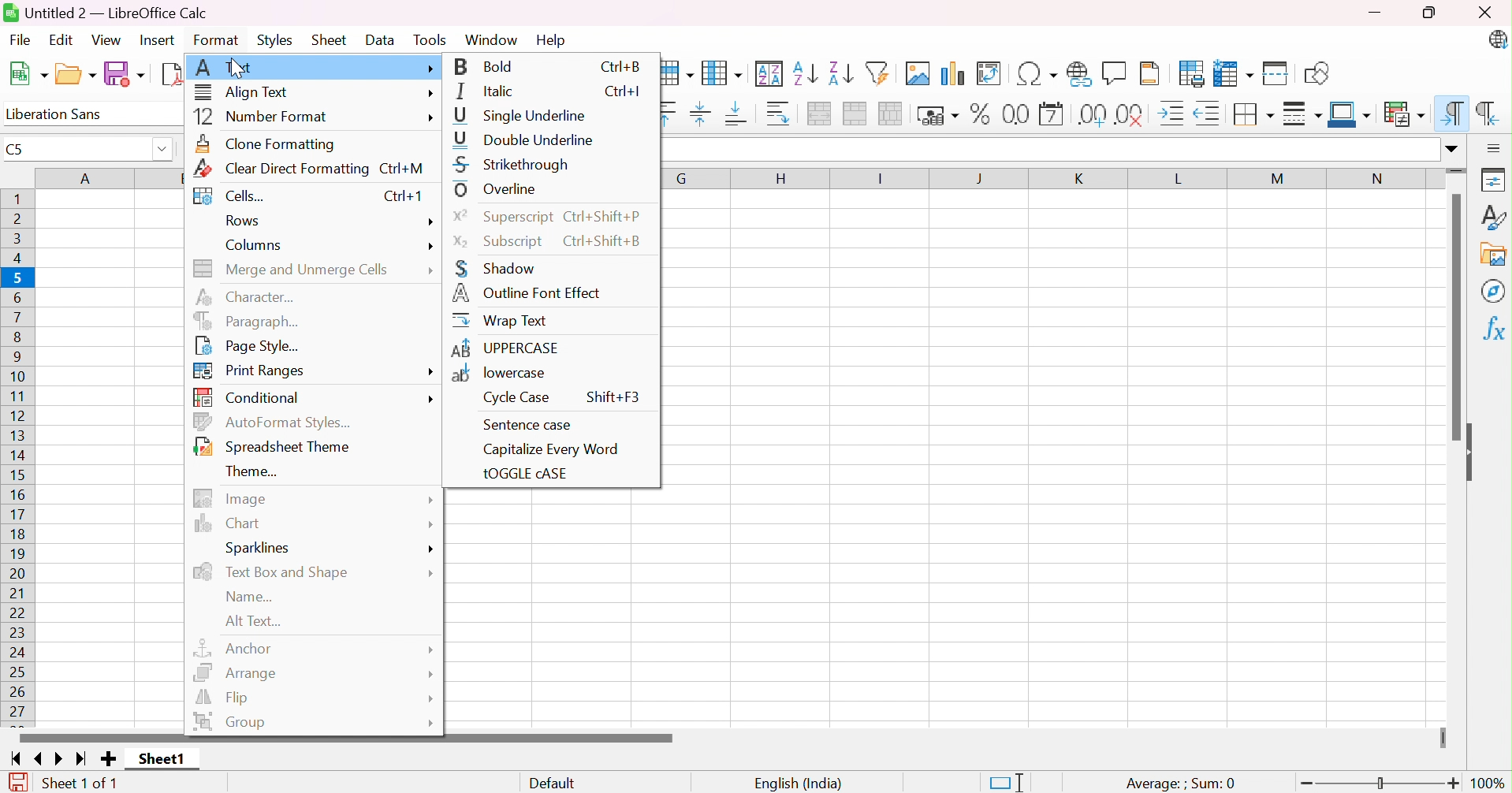 The height and width of the screenshot is (793, 1512). Describe the element at coordinates (512, 164) in the screenshot. I see `Strikethrough` at that location.